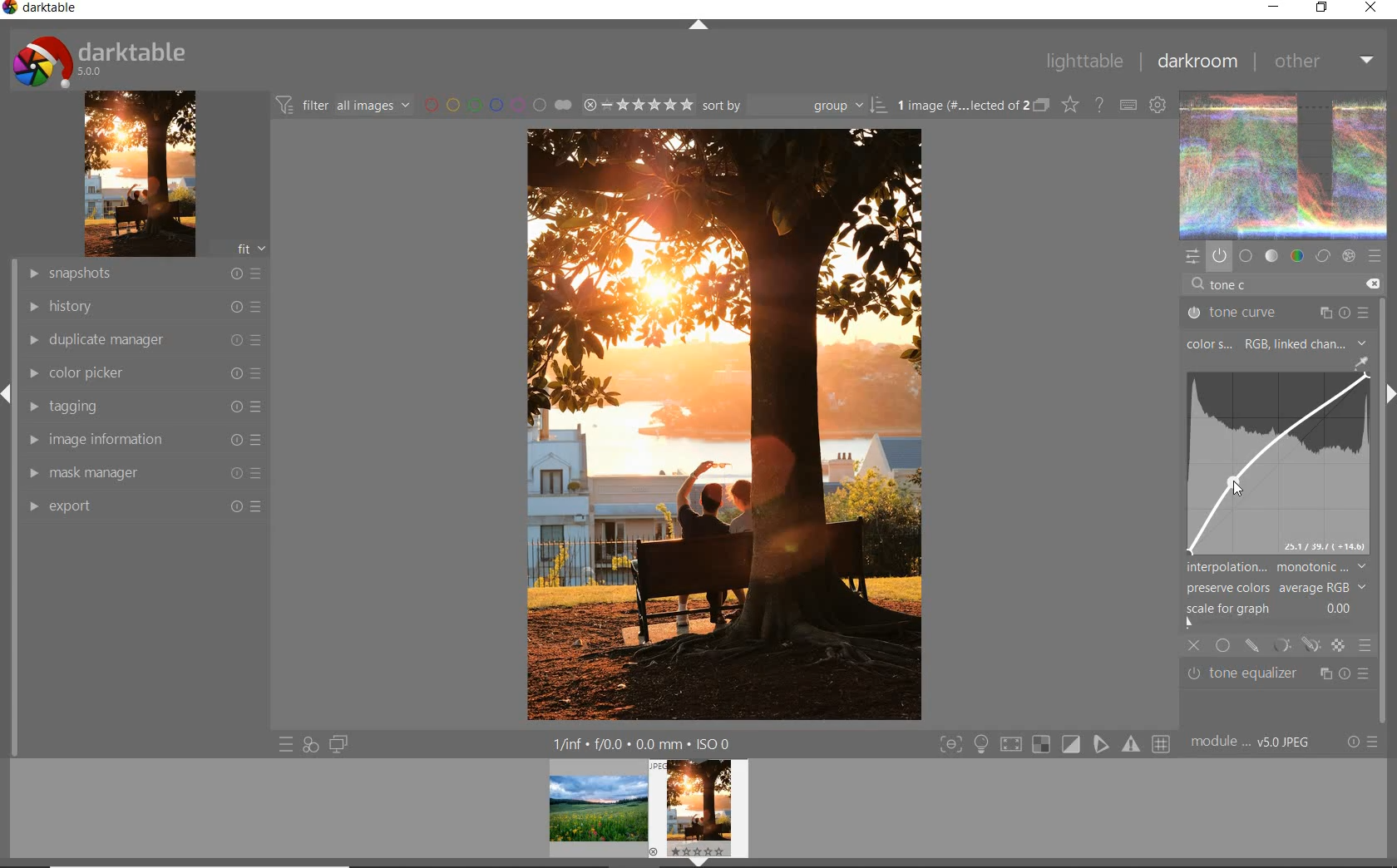  I want to click on module... v5.0 JPEG, so click(1253, 742).